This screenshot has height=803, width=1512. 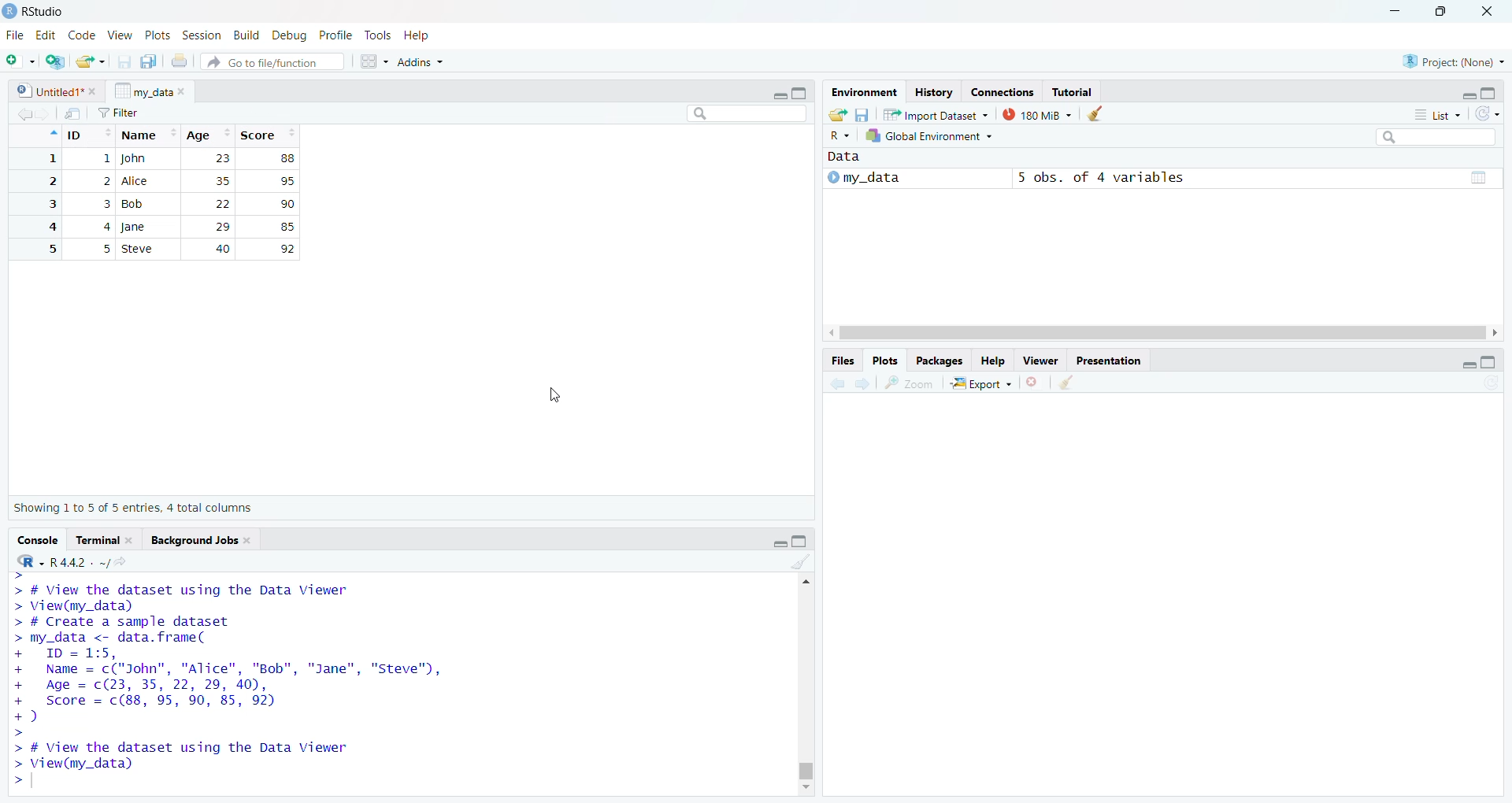 I want to click on Maximize, so click(x=1488, y=94).